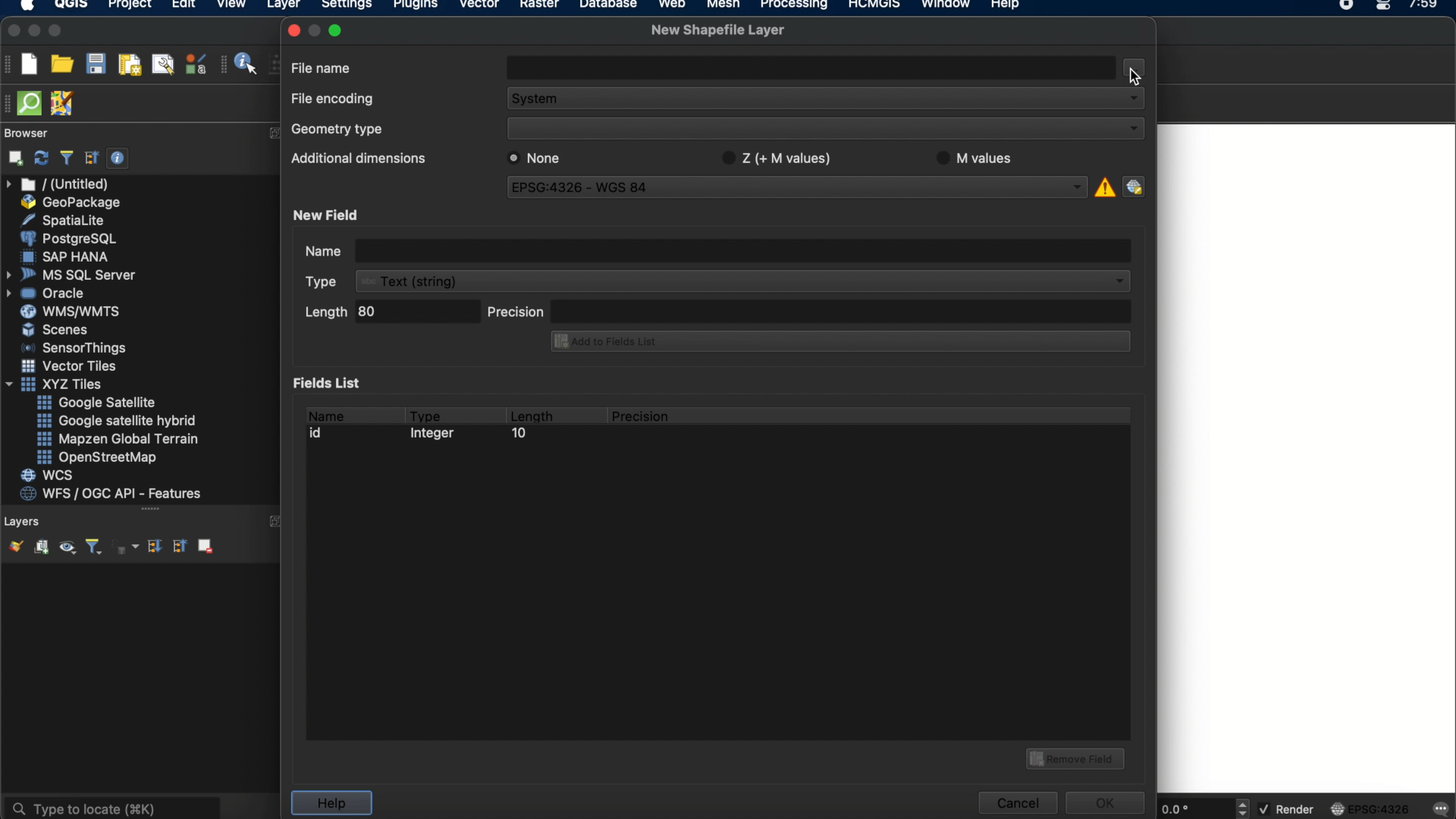 The height and width of the screenshot is (819, 1456). Describe the element at coordinates (673, 6) in the screenshot. I see `web` at that location.